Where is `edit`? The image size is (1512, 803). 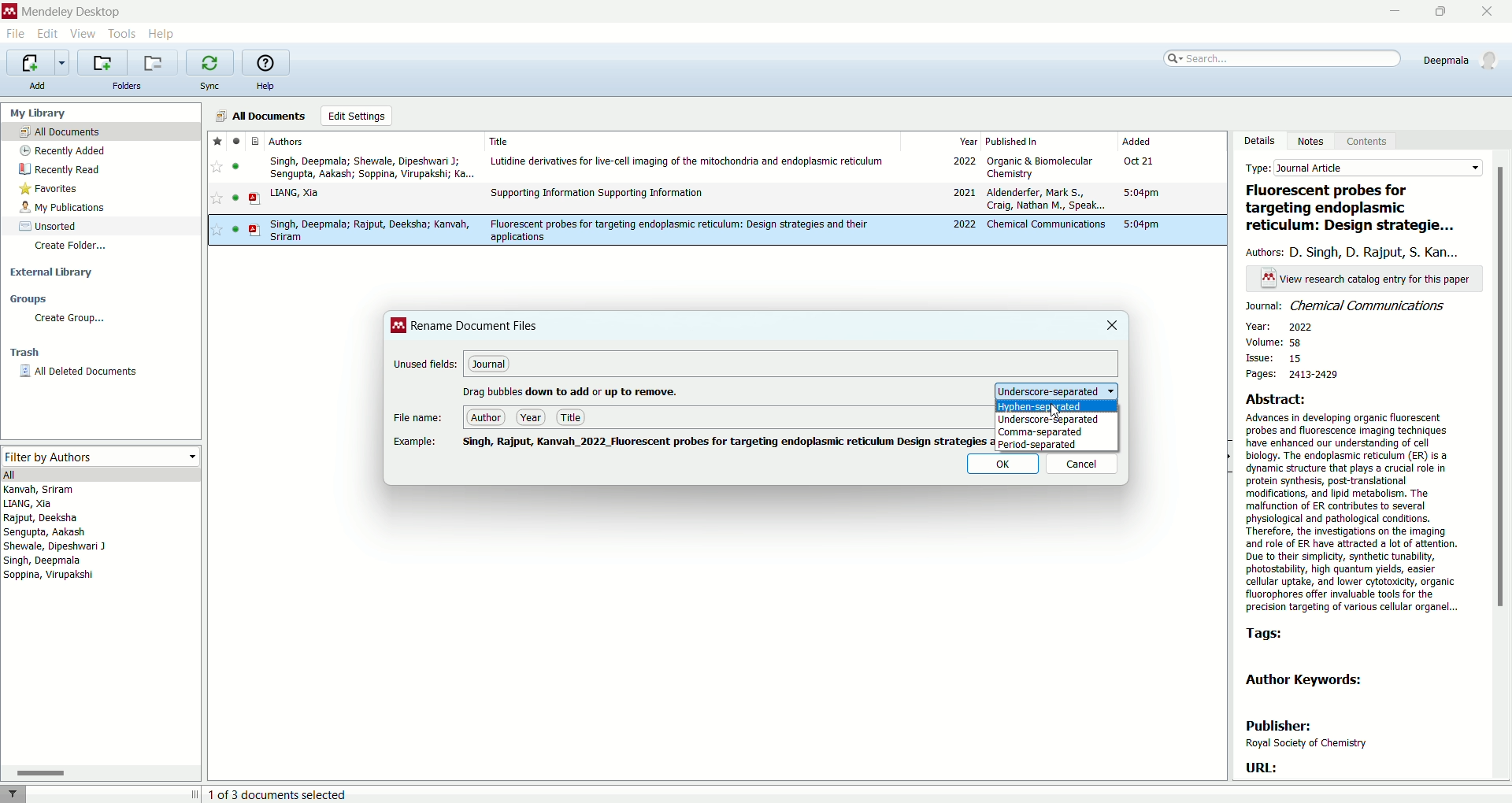
edit is located at coordinates (49, 34).